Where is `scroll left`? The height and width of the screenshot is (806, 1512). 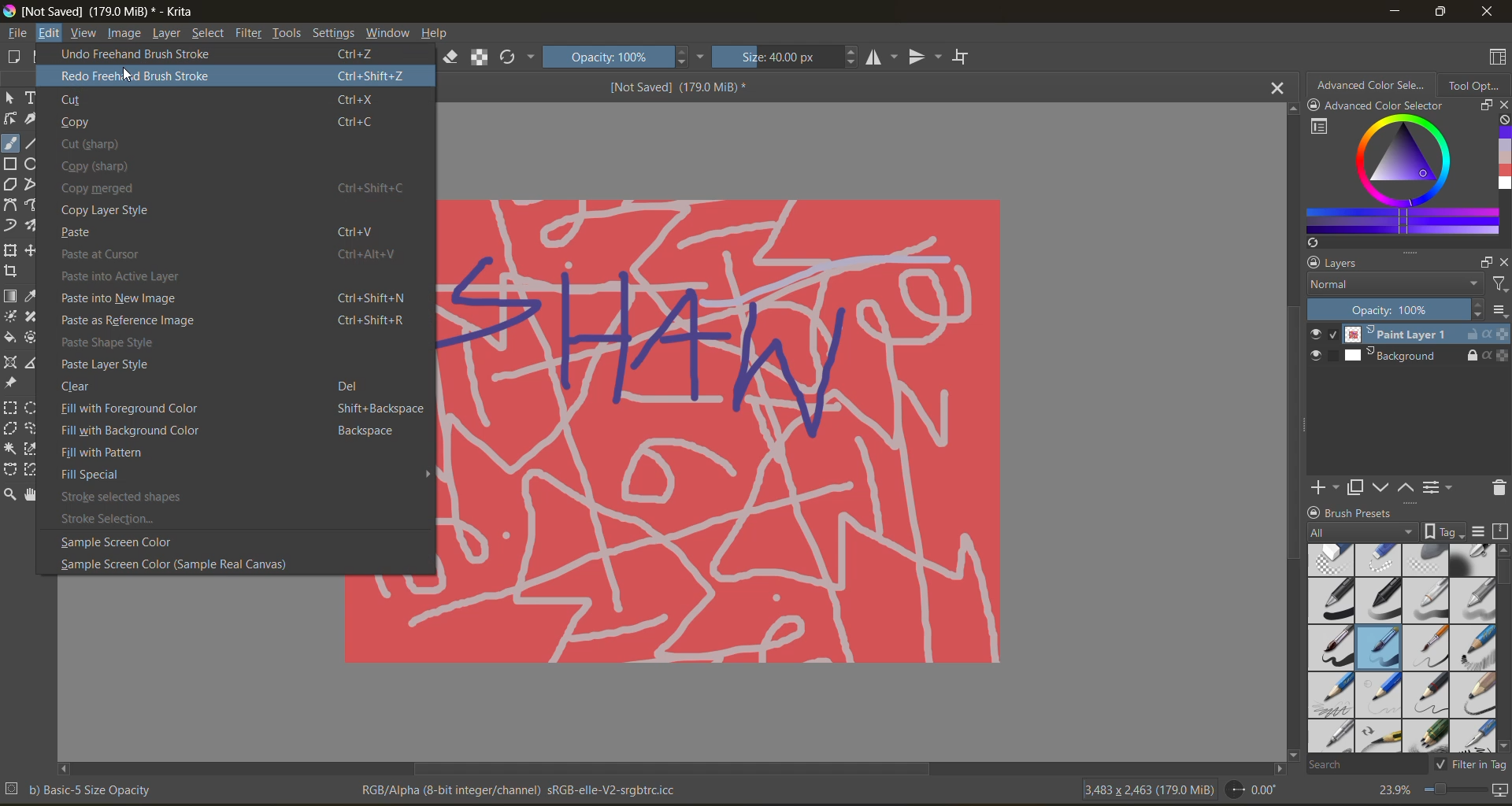
scroll left is located at coordinates (65, 765).